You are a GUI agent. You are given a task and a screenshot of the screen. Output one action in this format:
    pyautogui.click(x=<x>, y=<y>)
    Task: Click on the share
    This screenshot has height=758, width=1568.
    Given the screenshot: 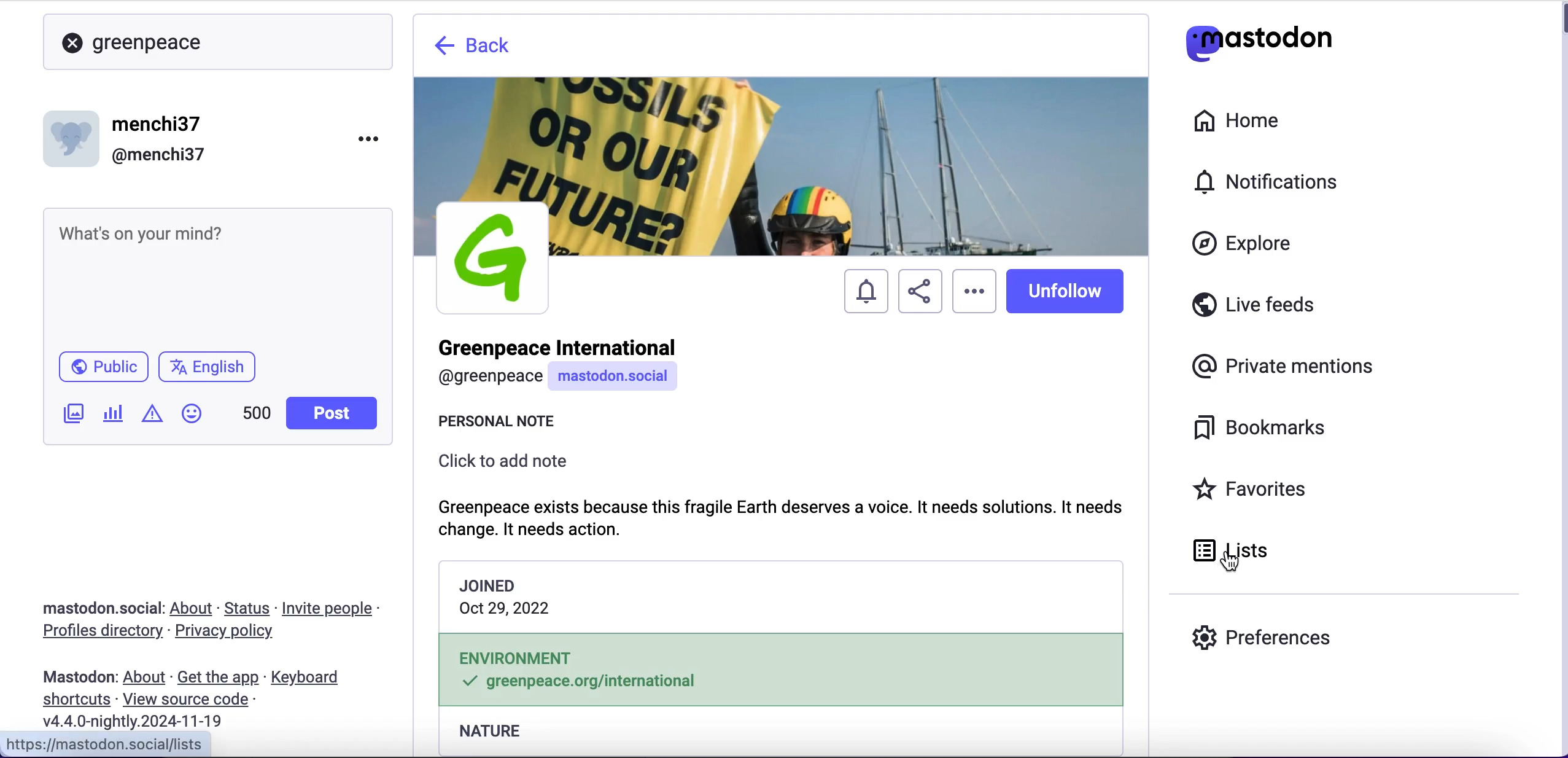 What is the action you would take?
    pyautogui.click(x=918, y=294)
    